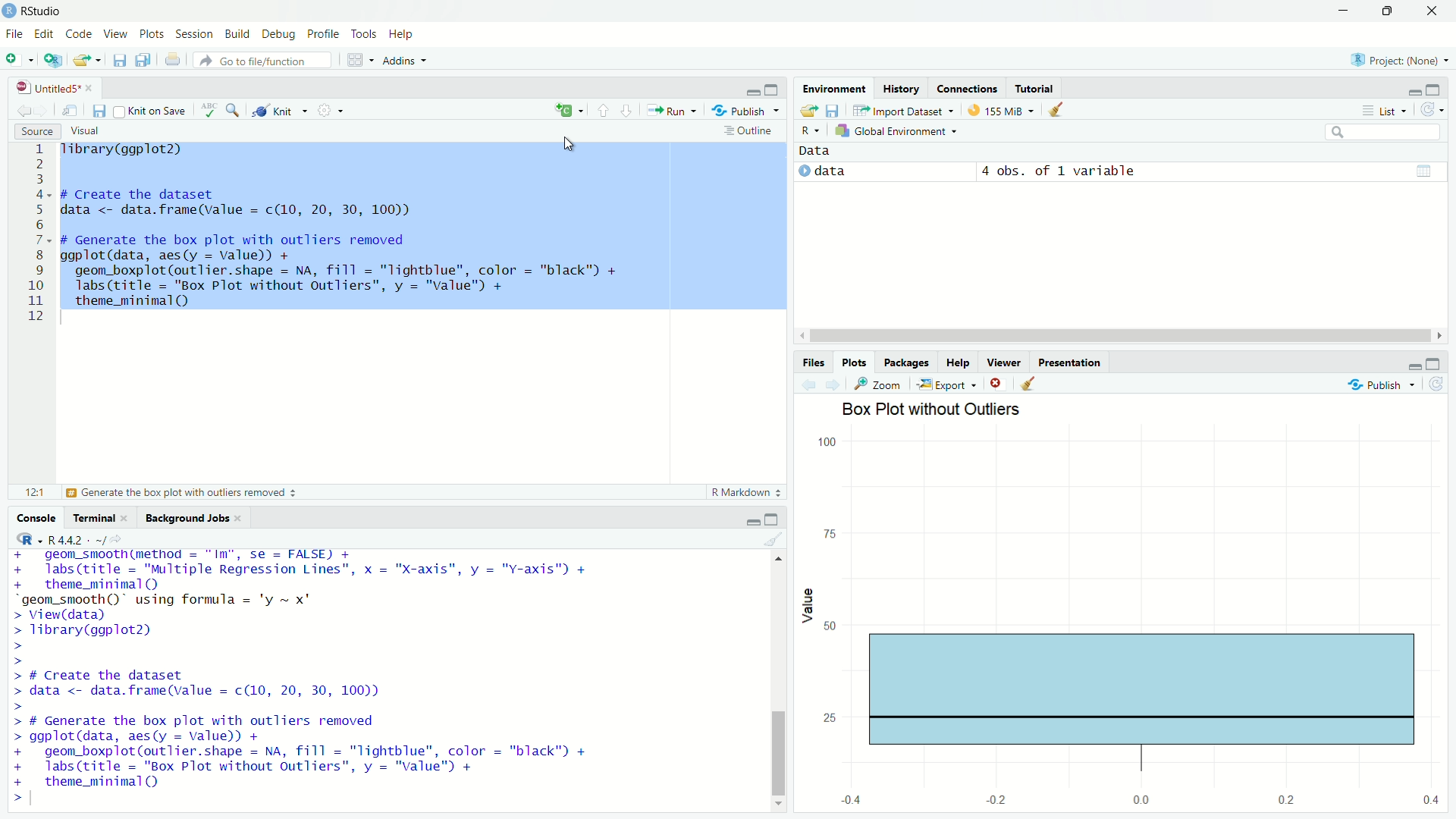 Image resolution: width=1456 pixels, height=819 pixels. Describe the element at coordinates (748, 130) in the screenshot. I see `= Outline` at that location.